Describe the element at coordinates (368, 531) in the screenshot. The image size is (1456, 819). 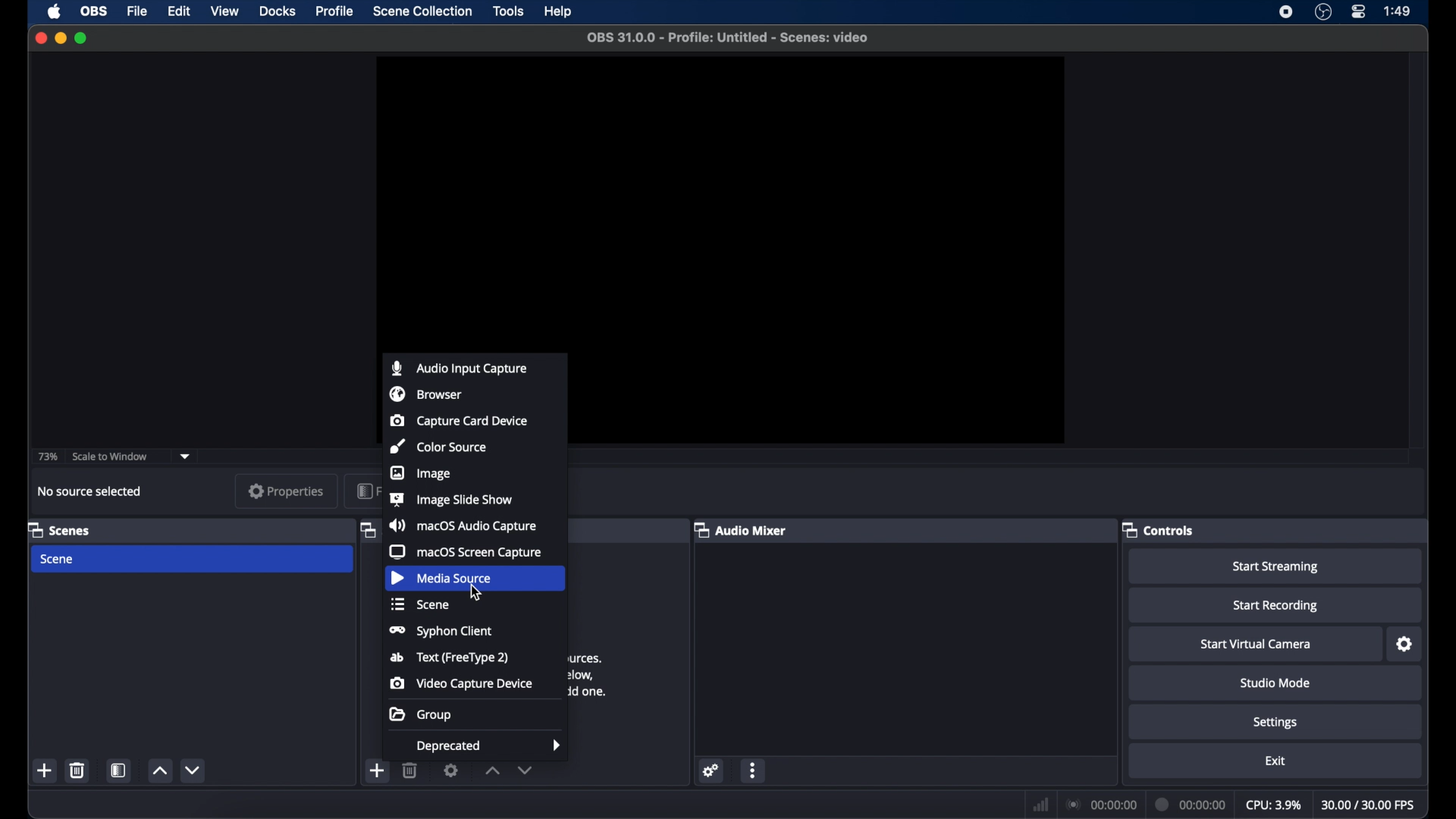
I see `sources` at that location.